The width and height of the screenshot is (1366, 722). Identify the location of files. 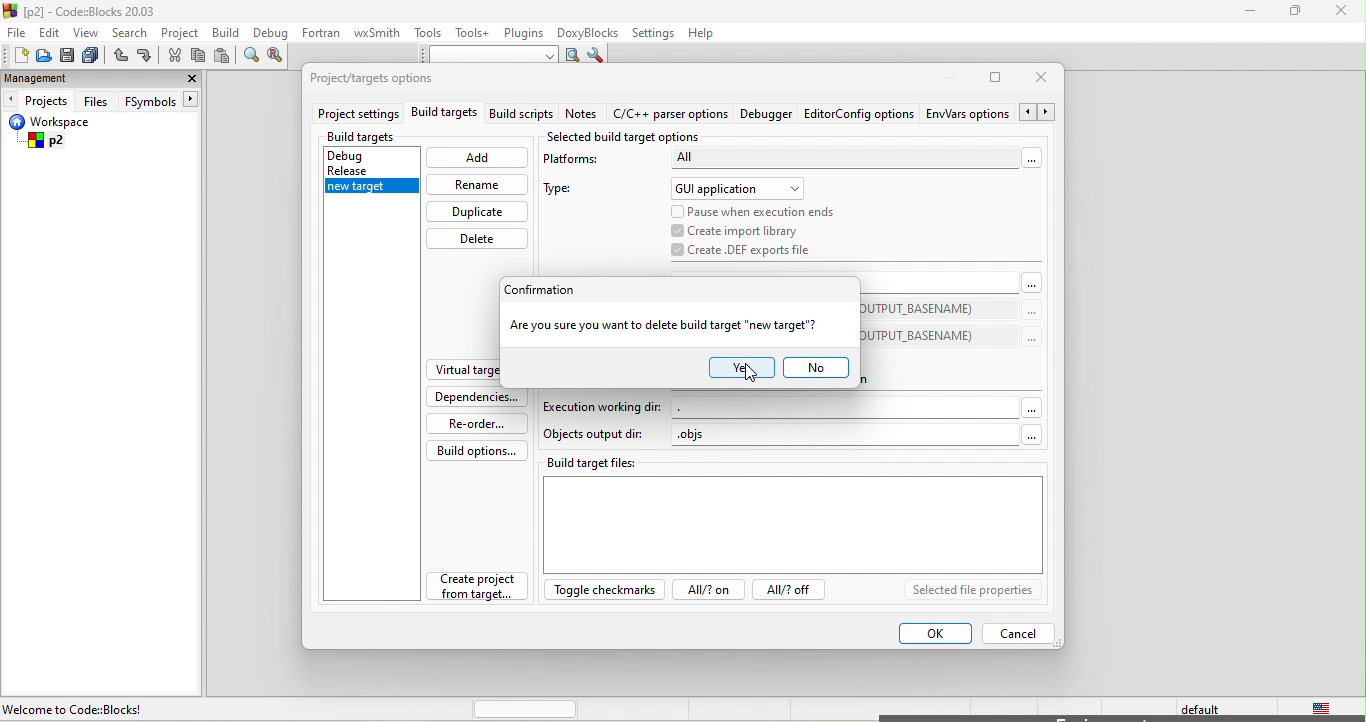
(97, 100).